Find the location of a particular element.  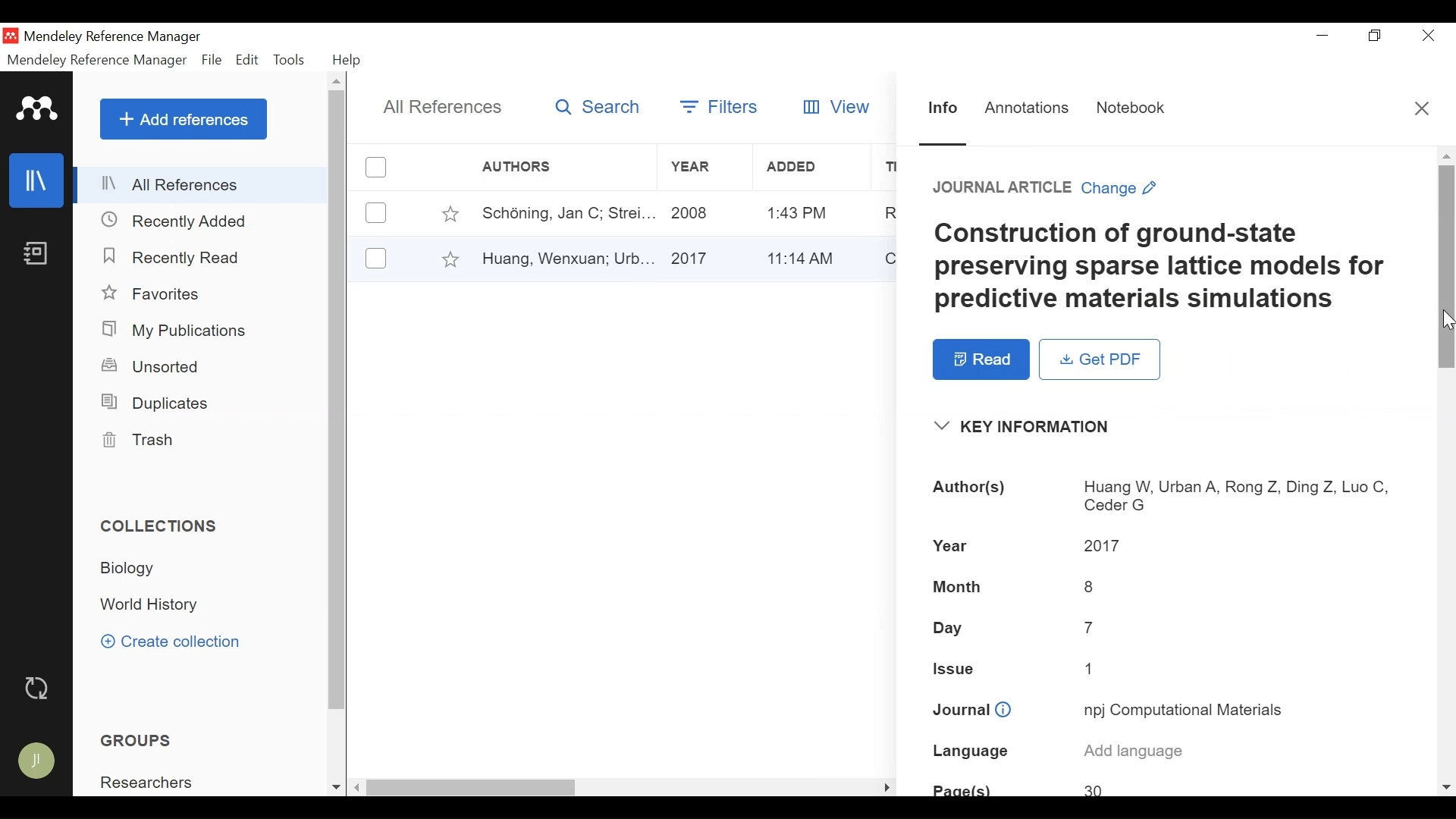

Tools is located at coordinates (289, 60).